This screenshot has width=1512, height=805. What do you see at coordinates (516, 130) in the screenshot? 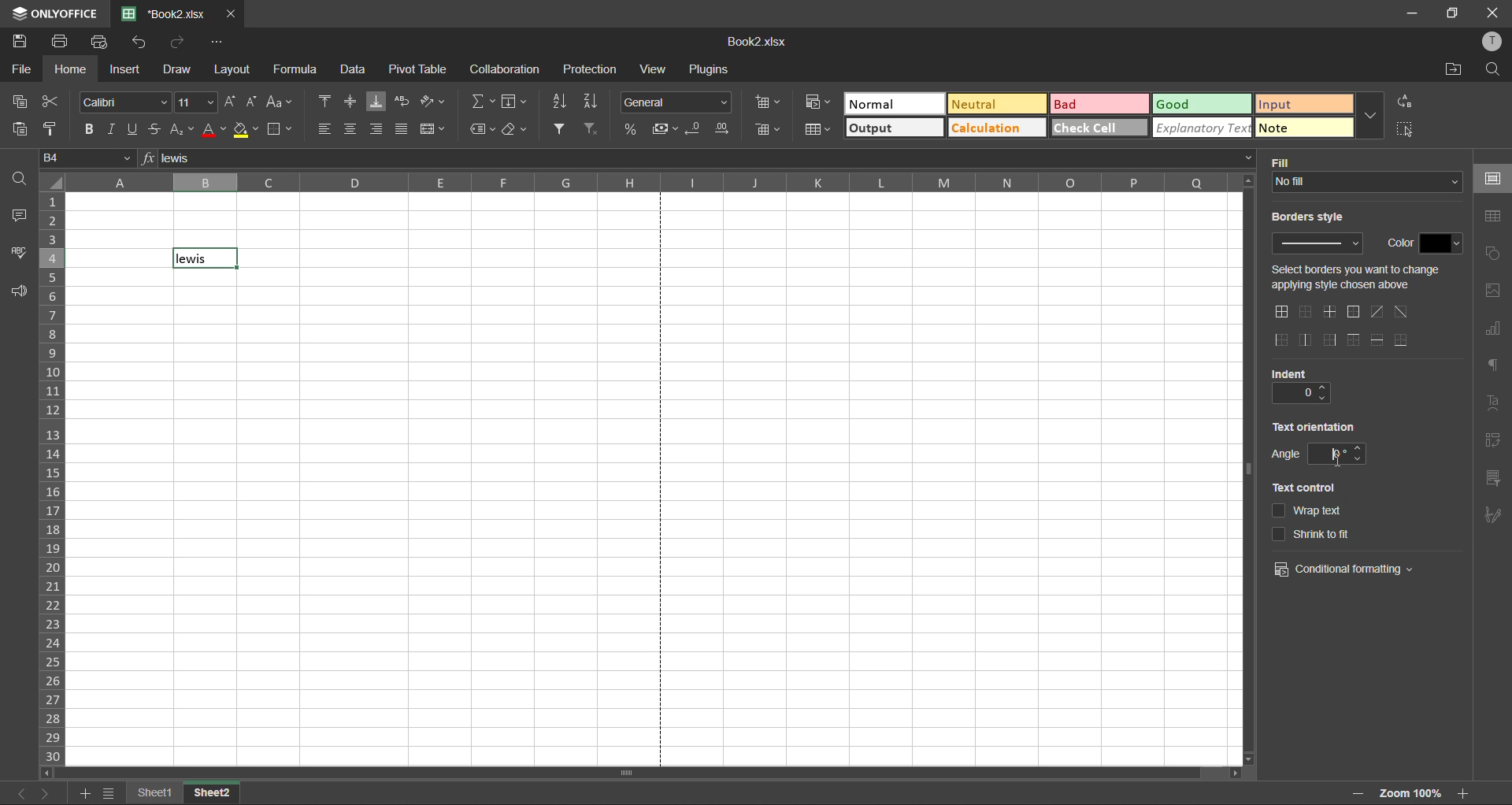
I see `clear` at bounding box center [516, 130].